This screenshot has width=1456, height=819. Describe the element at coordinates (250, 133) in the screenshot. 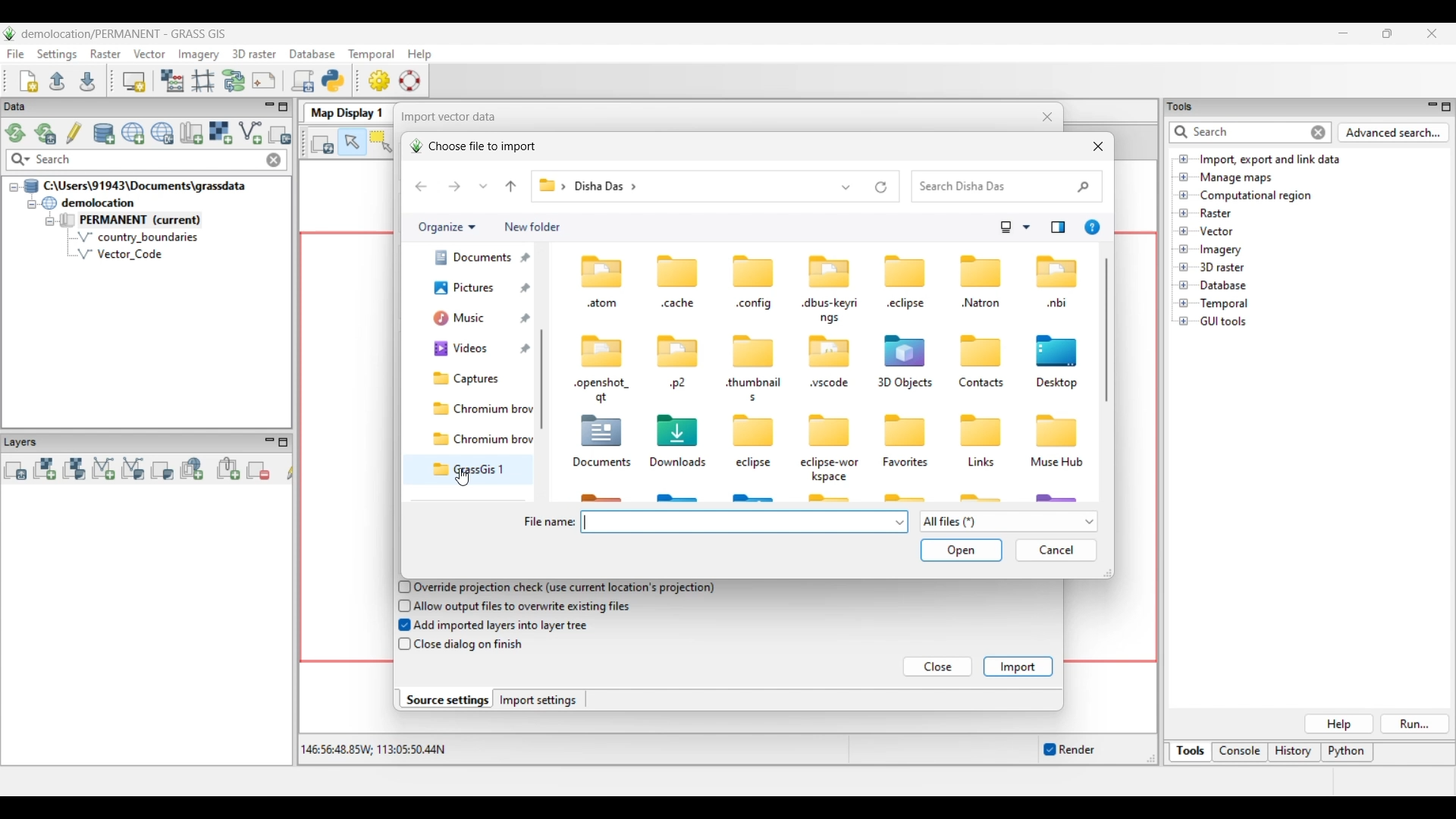

I see `Import vector data, current selection` at that location.